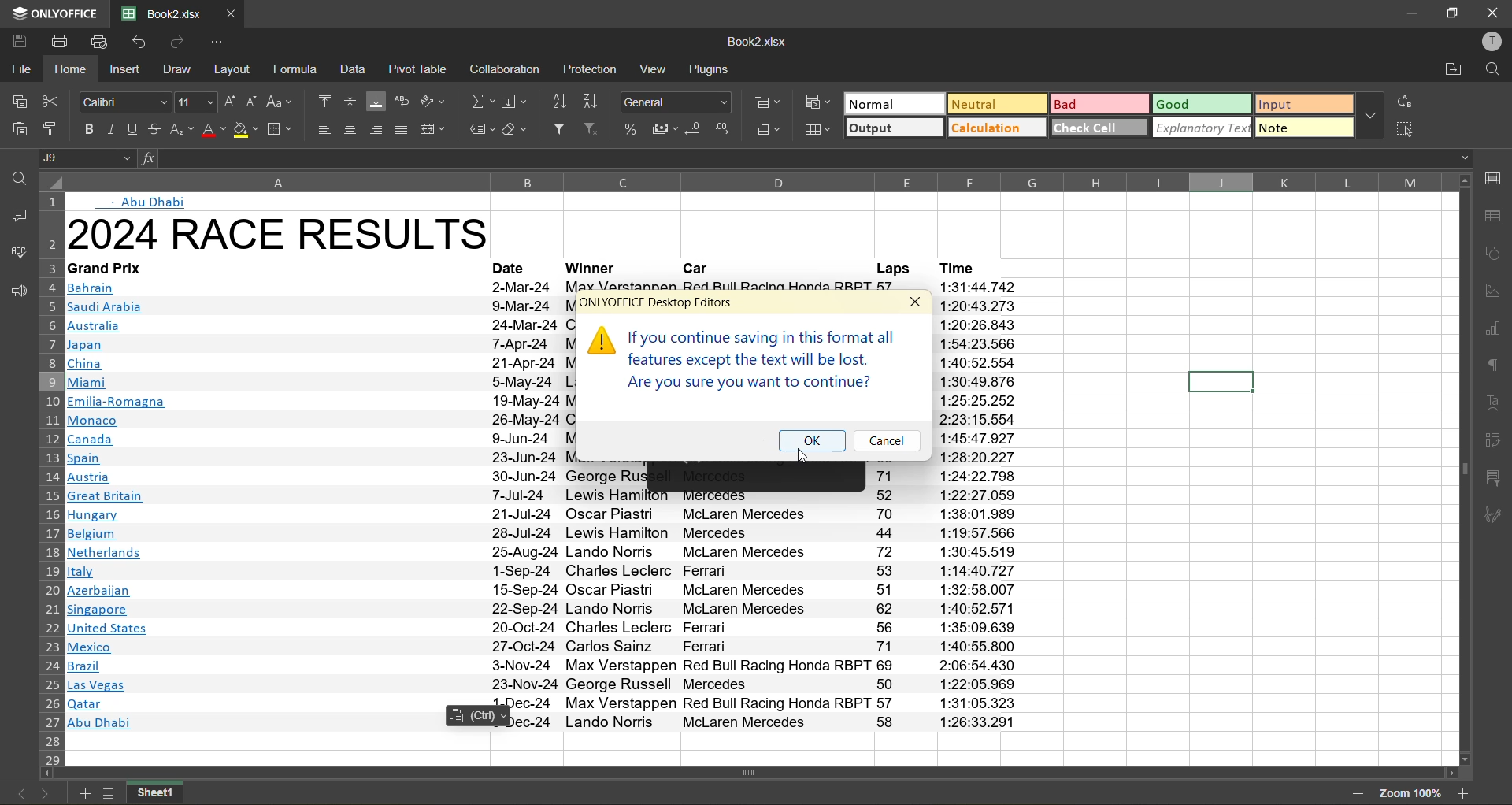 This screenshot has width=1512, height=805. I want to click on align top, so click(326, 100).